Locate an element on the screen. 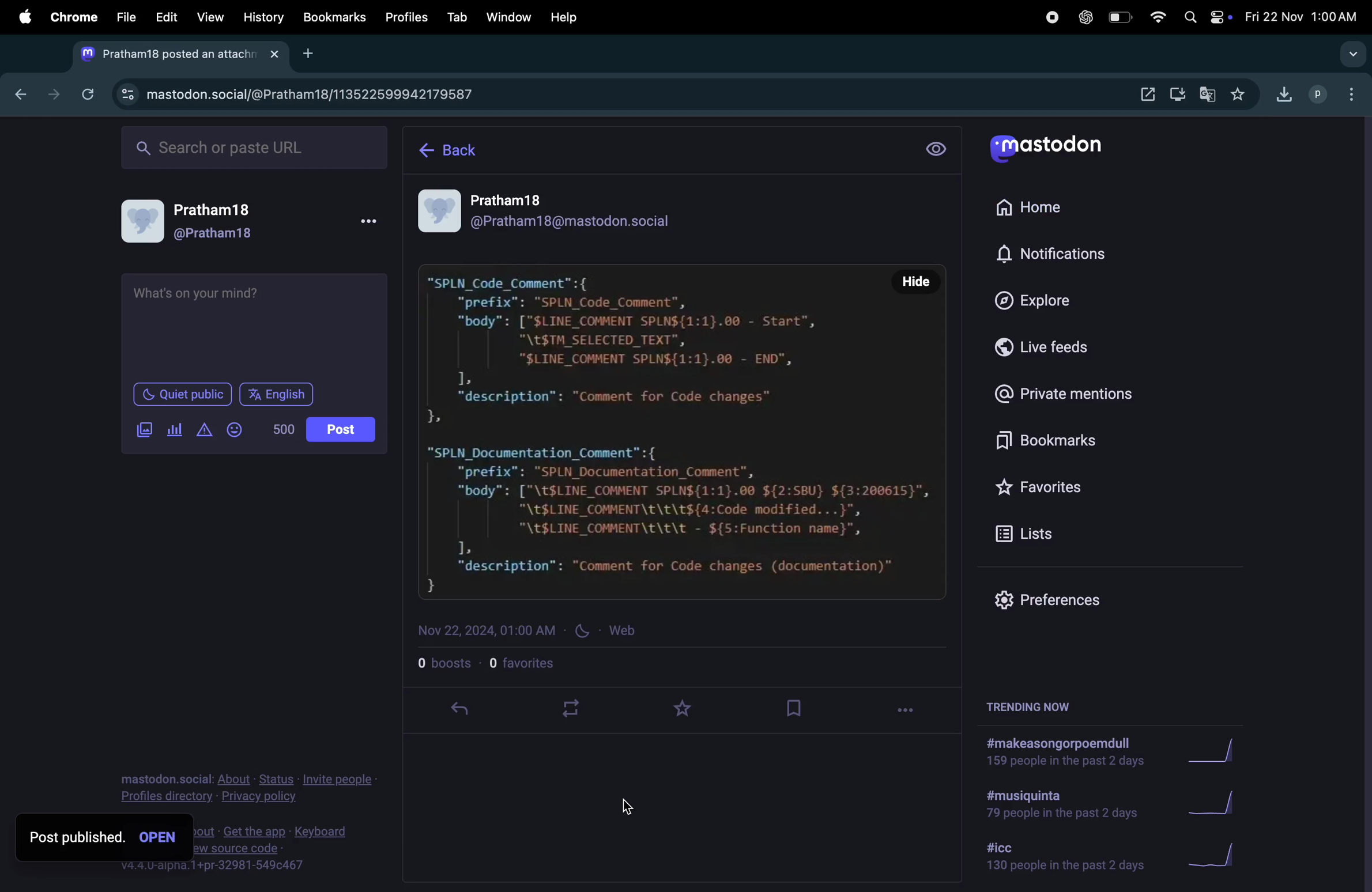 The image size is (1372, 892). quiet public is located at coordinates (176, 393).